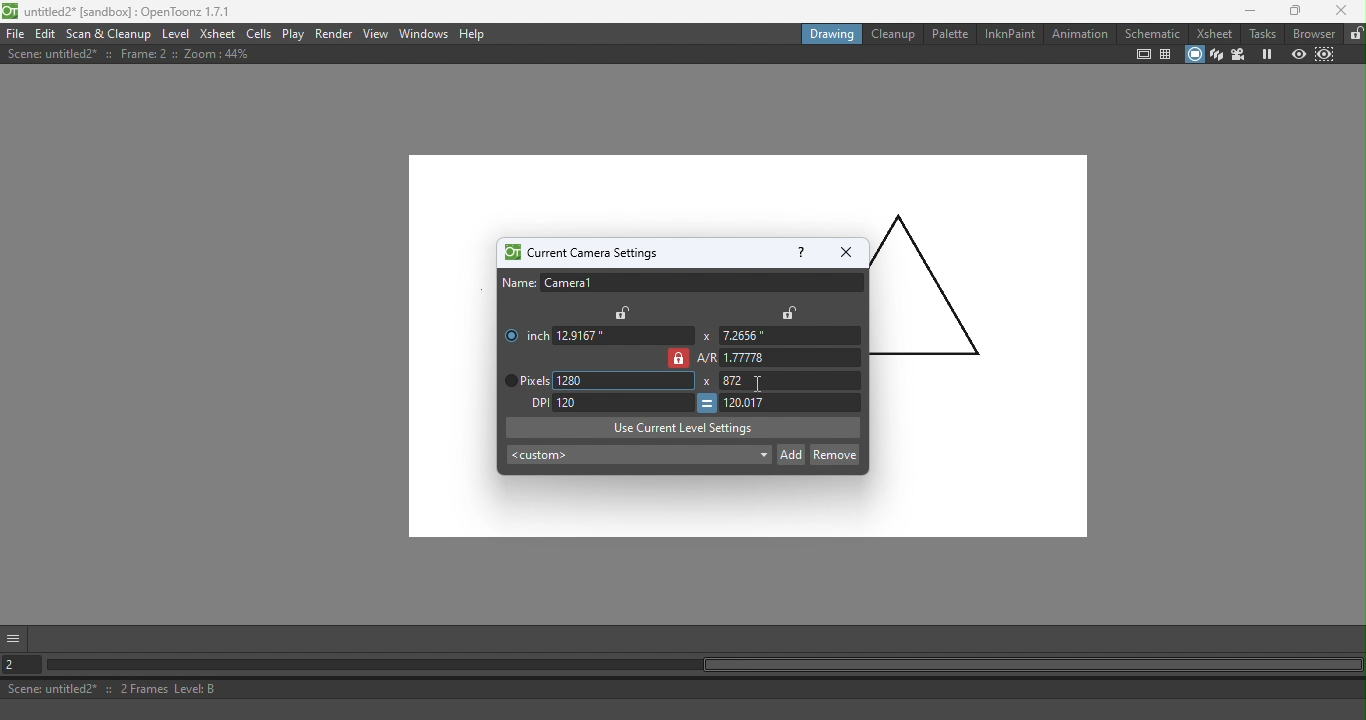  Describe the element at coordinates (677, 358) in the screenshot. I see `Lock/Unlock aspect ratio` at that location.